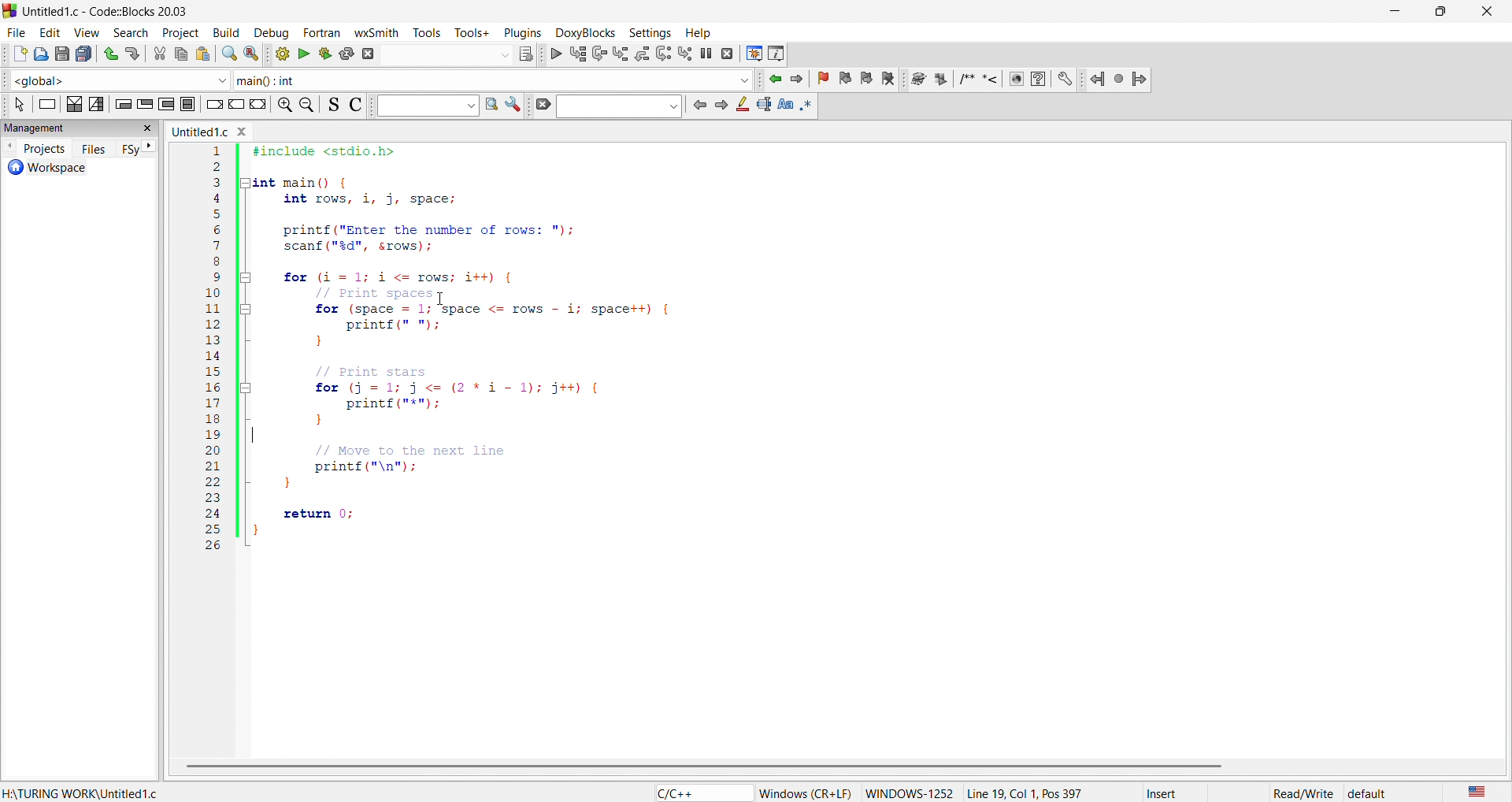  What do you see at coordinates (228, 54) in the screenshot?
I see `find` at bounding box center [228, 54].